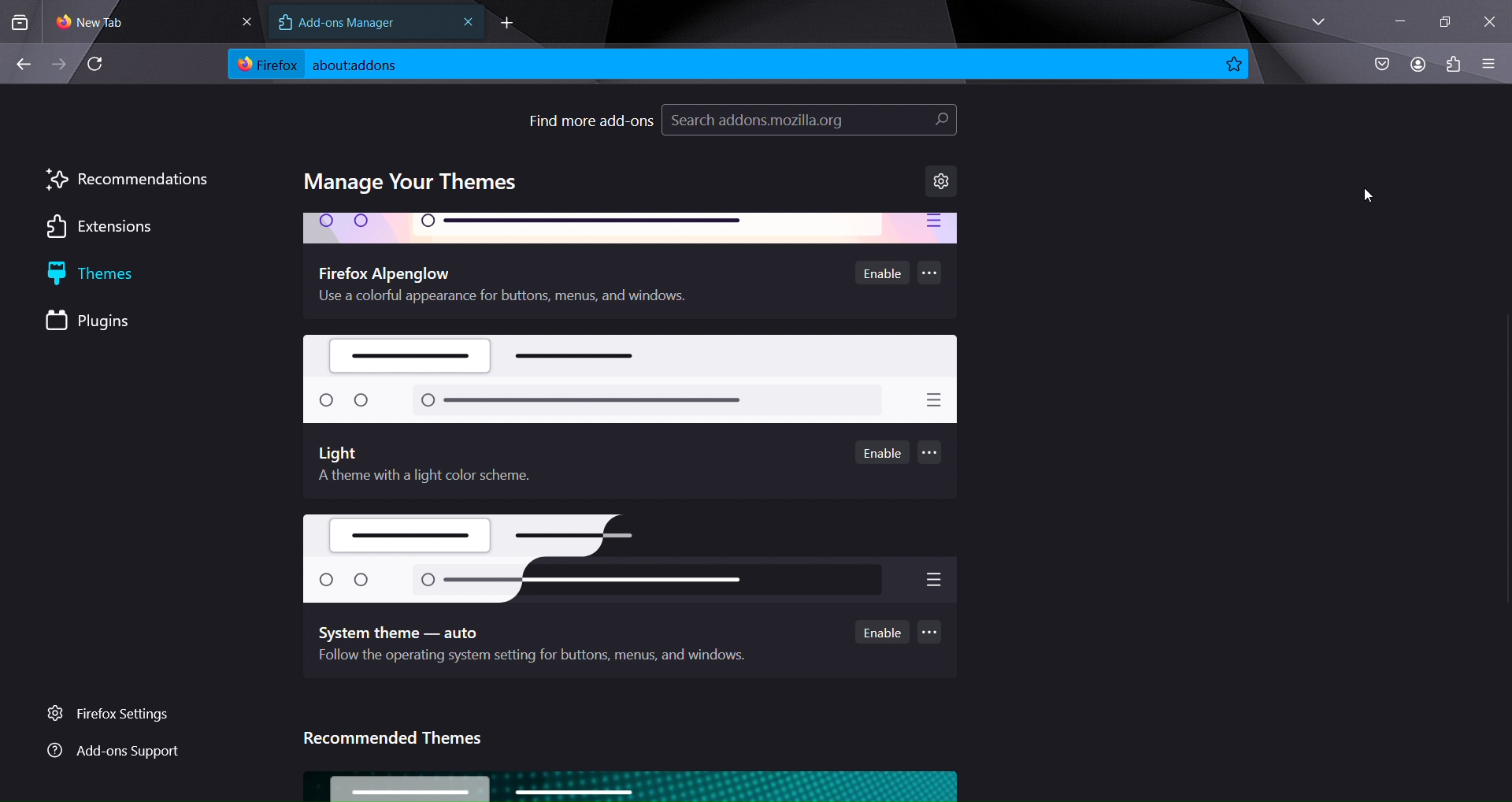 The image size is (1512, 802). I want to click on , so click(624, 552).